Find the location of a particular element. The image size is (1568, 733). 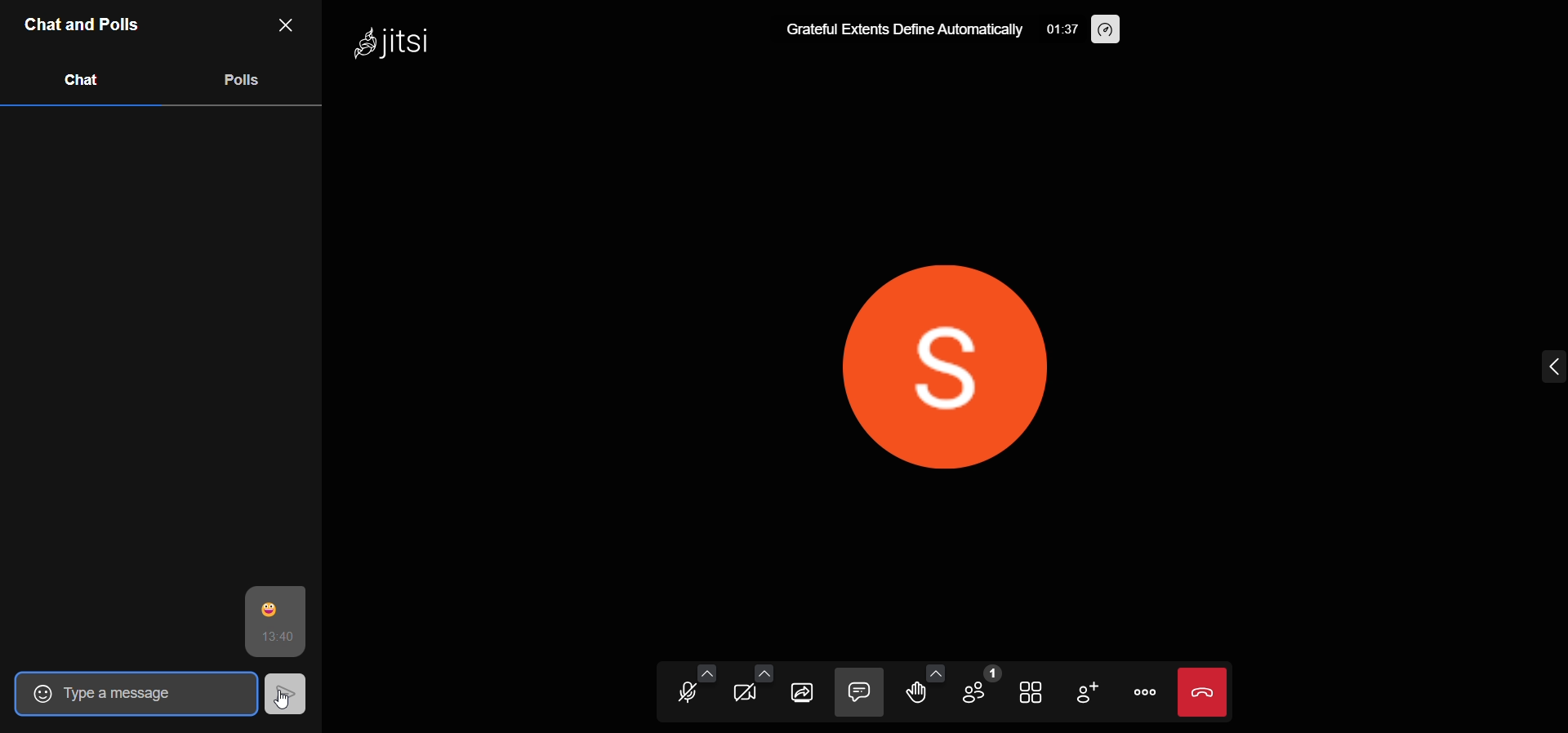

microphone is located at coordinates (690, 693).